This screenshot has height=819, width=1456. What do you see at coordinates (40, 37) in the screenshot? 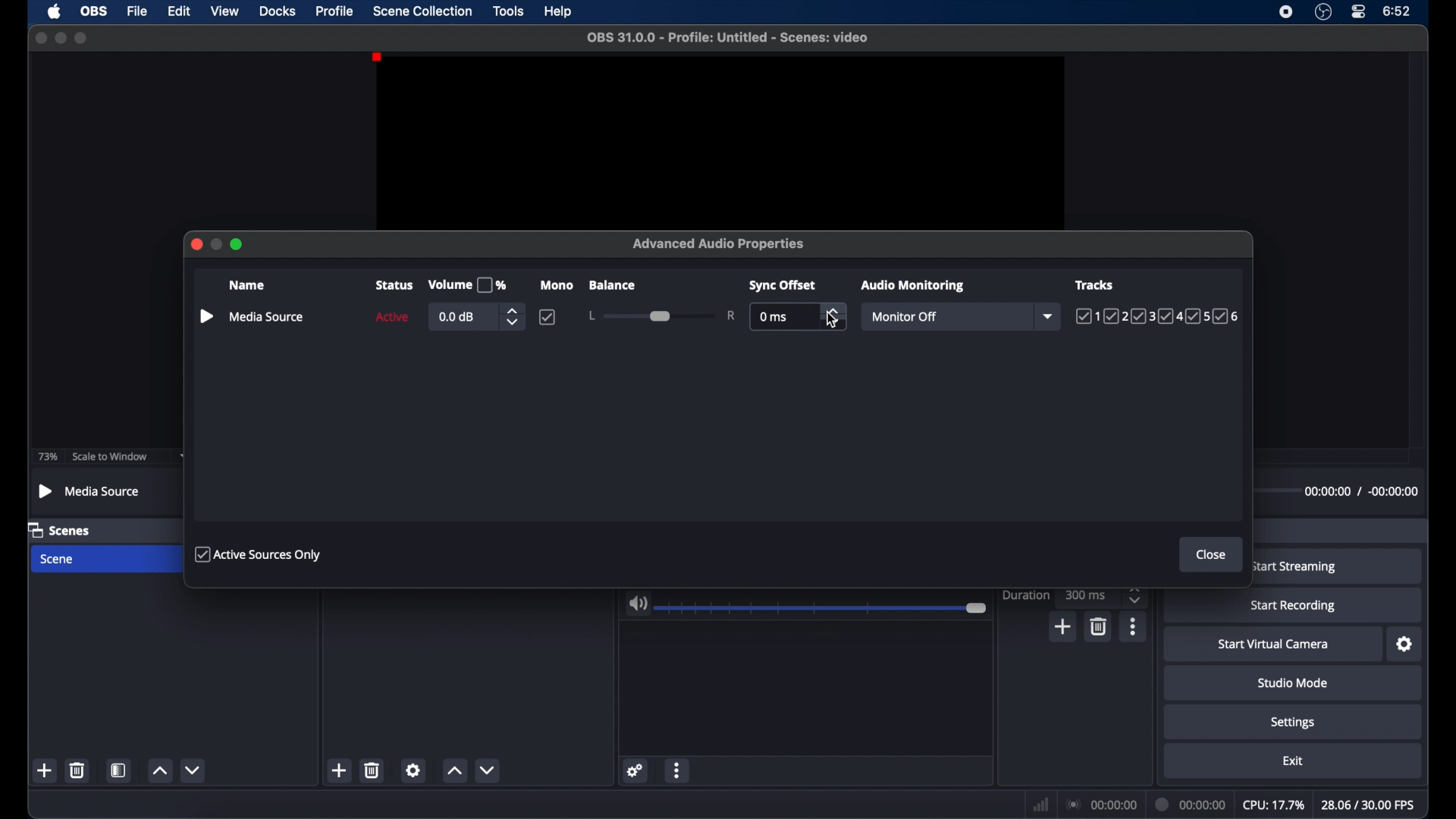
I see `close` at bounding box center [40, 37].